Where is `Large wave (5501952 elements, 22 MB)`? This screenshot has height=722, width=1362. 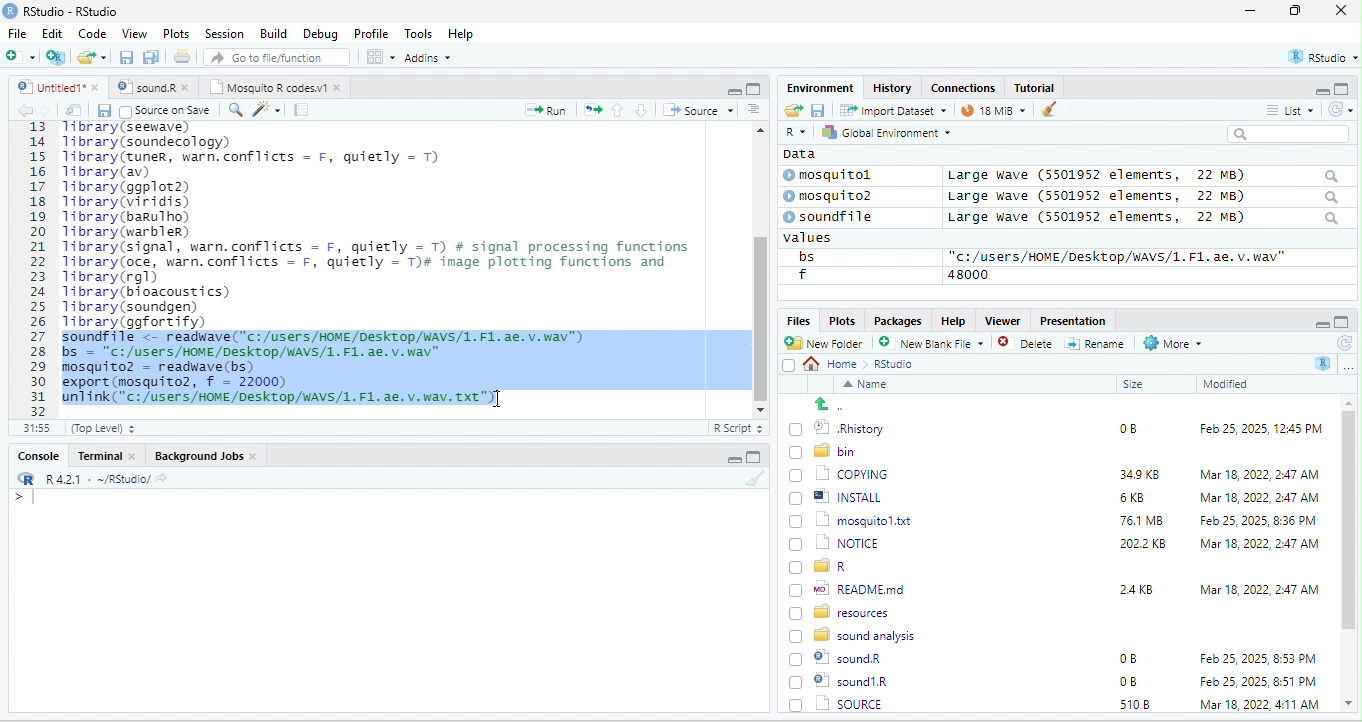 Large wave (5501952 elements, 22 MB) is located at coordinates (1144, 219).